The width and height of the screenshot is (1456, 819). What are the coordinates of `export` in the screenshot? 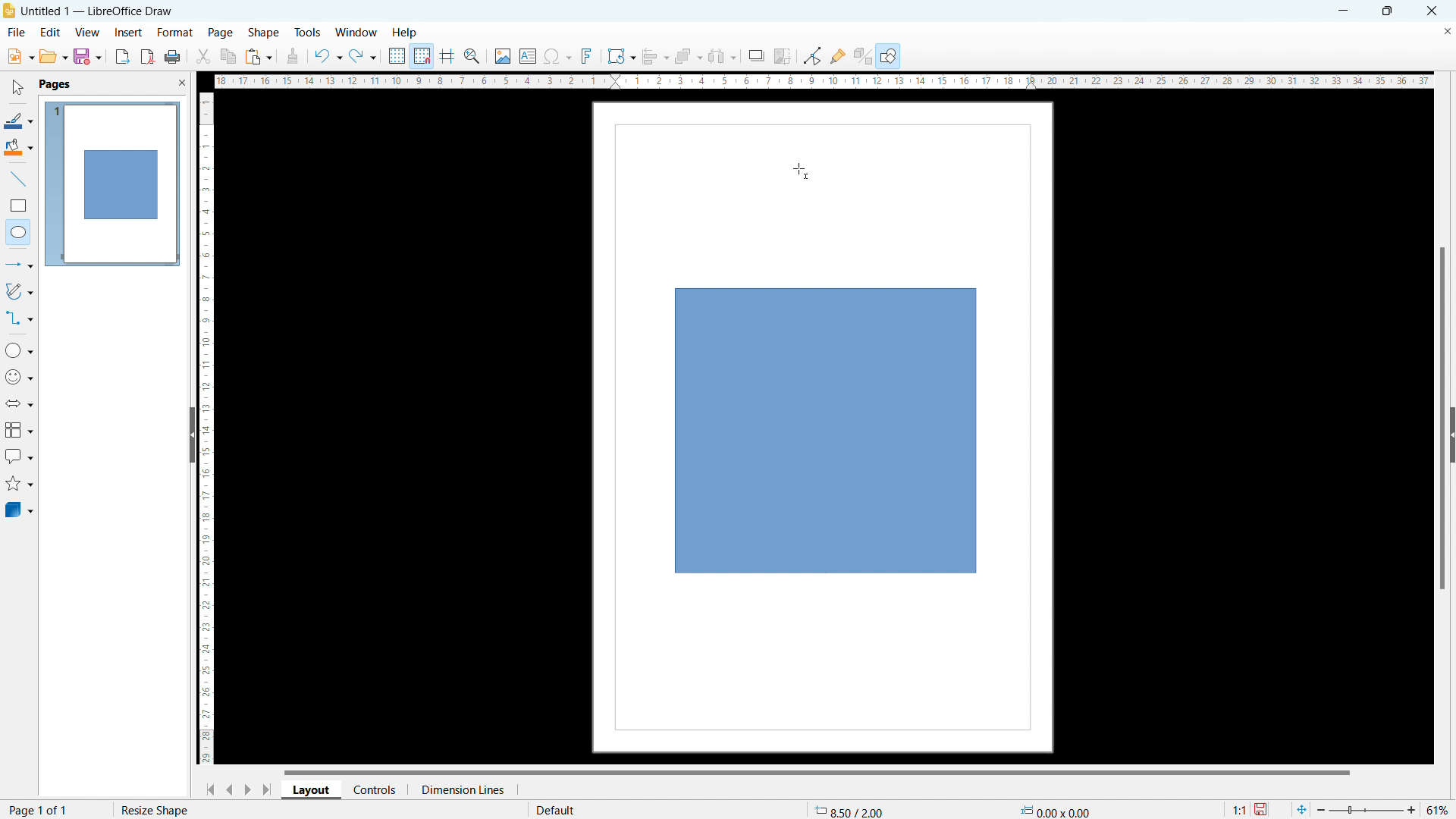 It's located at (123, 56).